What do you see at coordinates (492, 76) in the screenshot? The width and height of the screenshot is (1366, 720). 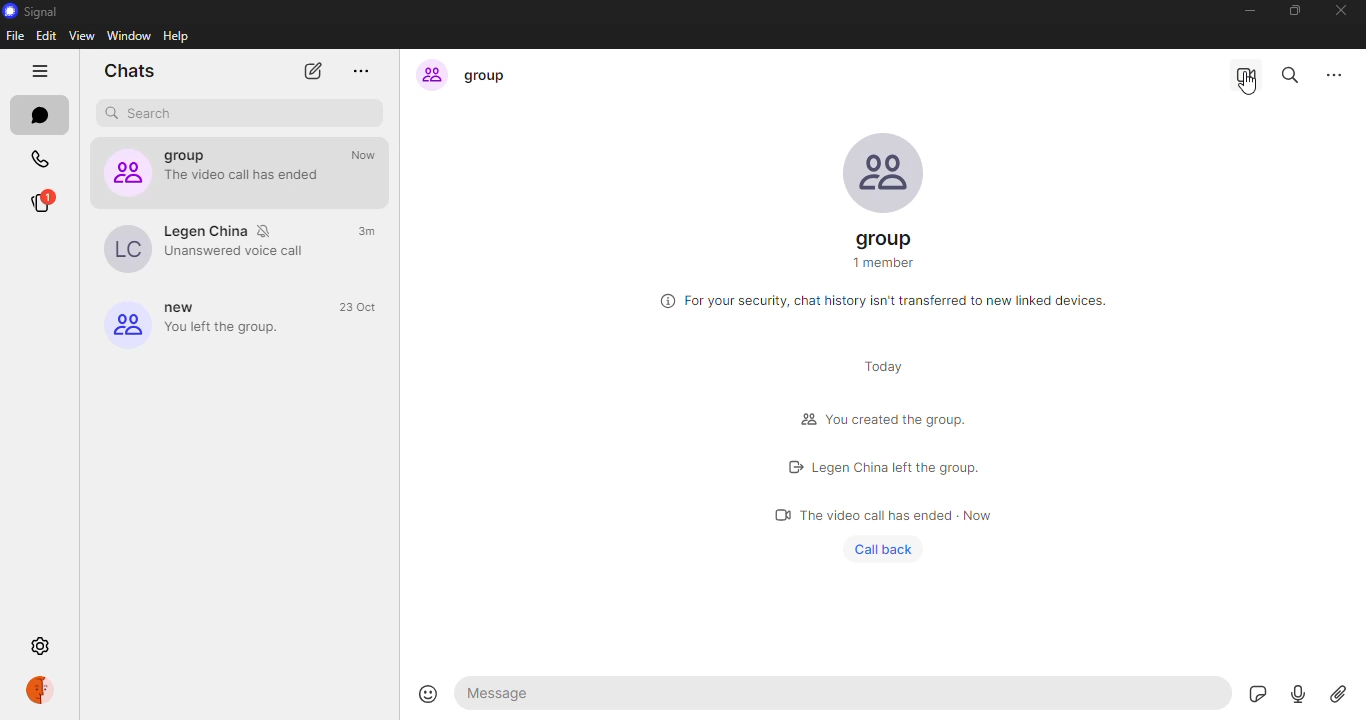 I see `group` at bounding box center [492, 76].